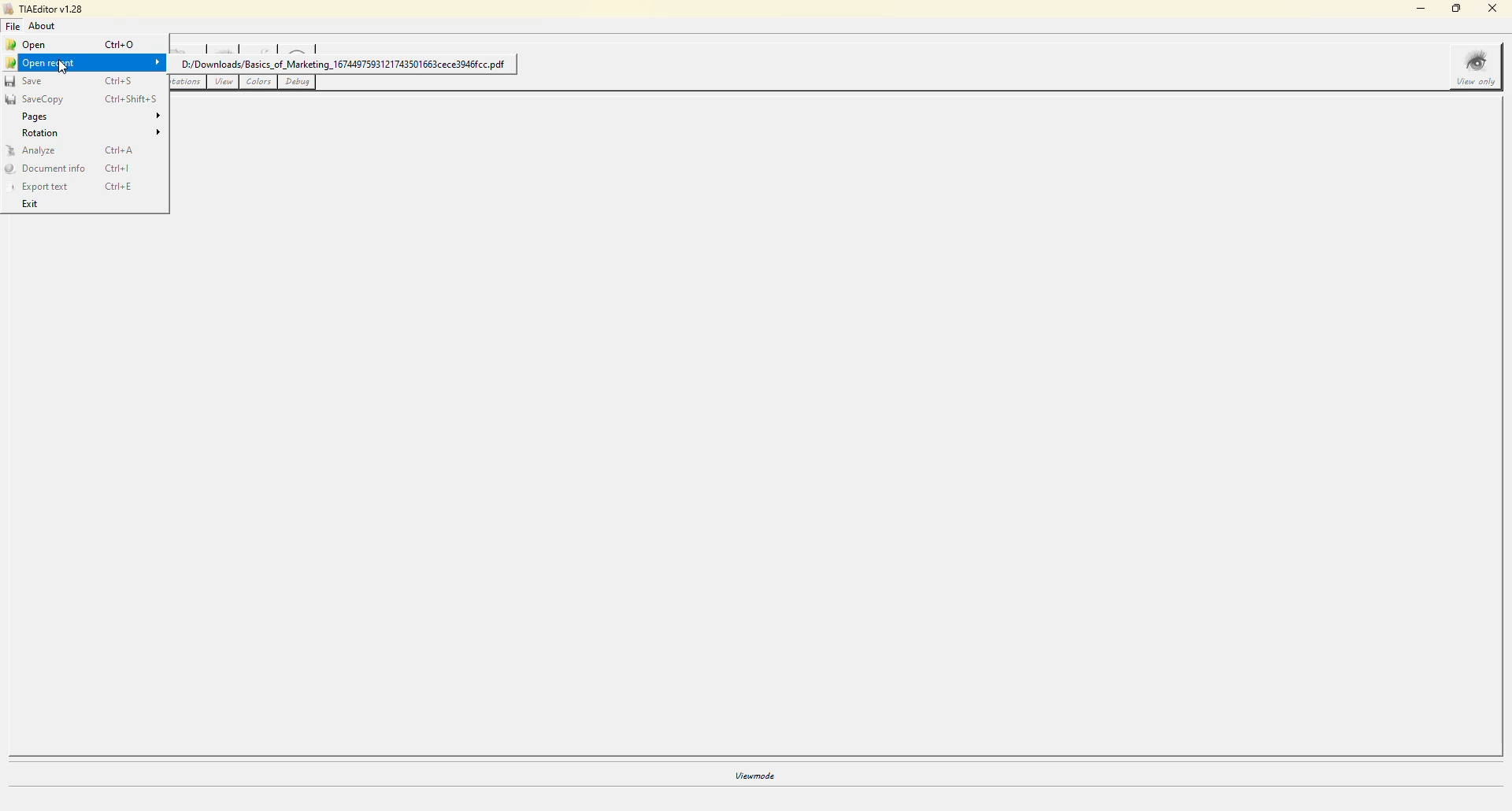 The height and width of the screenshot is (811, 1512). Describe the element at coordinates (1418, 9) in the screenshot. I see `minimize` at that location.